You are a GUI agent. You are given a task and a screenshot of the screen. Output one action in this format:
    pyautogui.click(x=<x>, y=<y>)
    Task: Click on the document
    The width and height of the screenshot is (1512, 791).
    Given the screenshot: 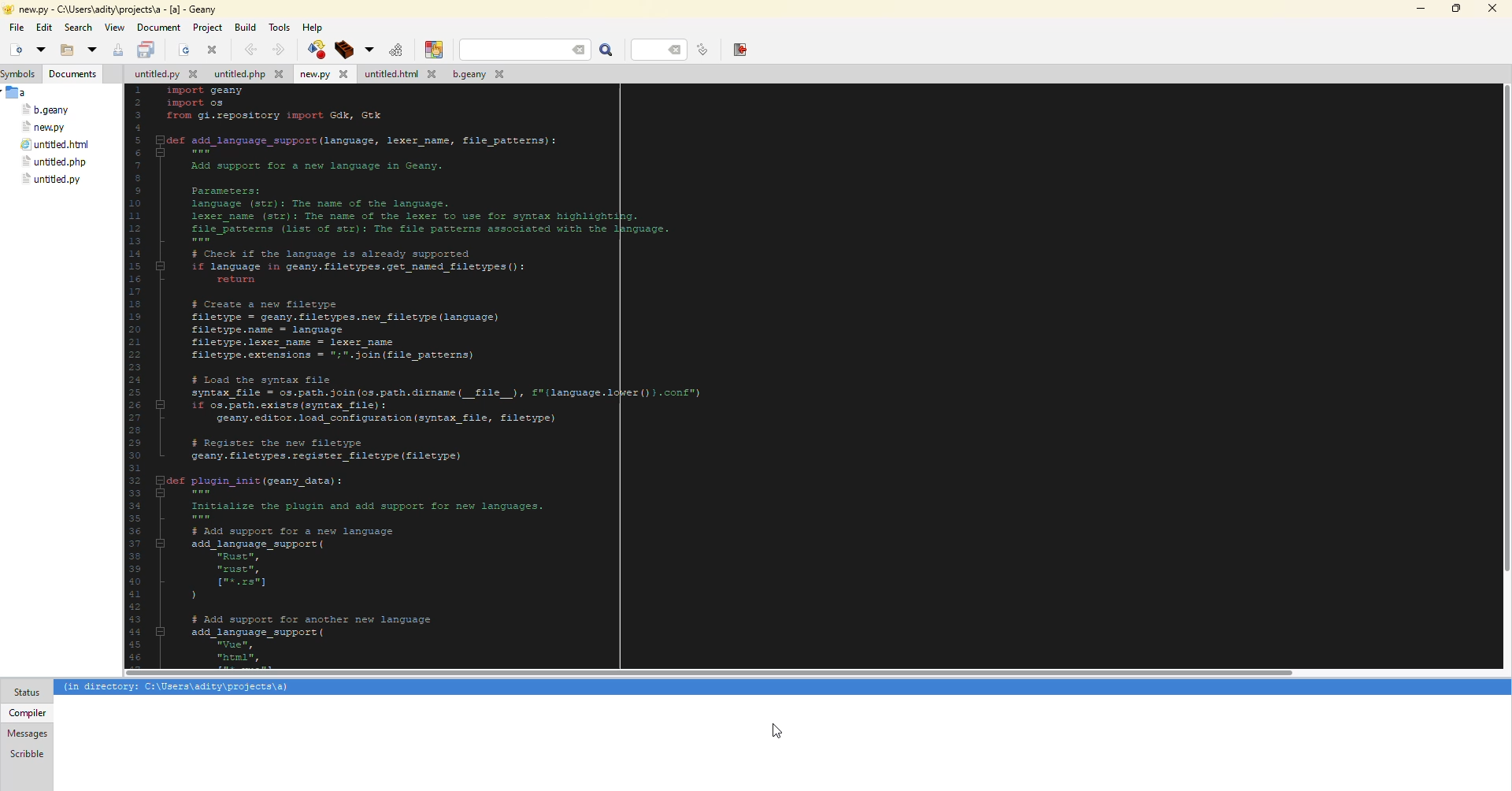 What is the action you would take?
    pyautogui.click(x=73, y=74)
    